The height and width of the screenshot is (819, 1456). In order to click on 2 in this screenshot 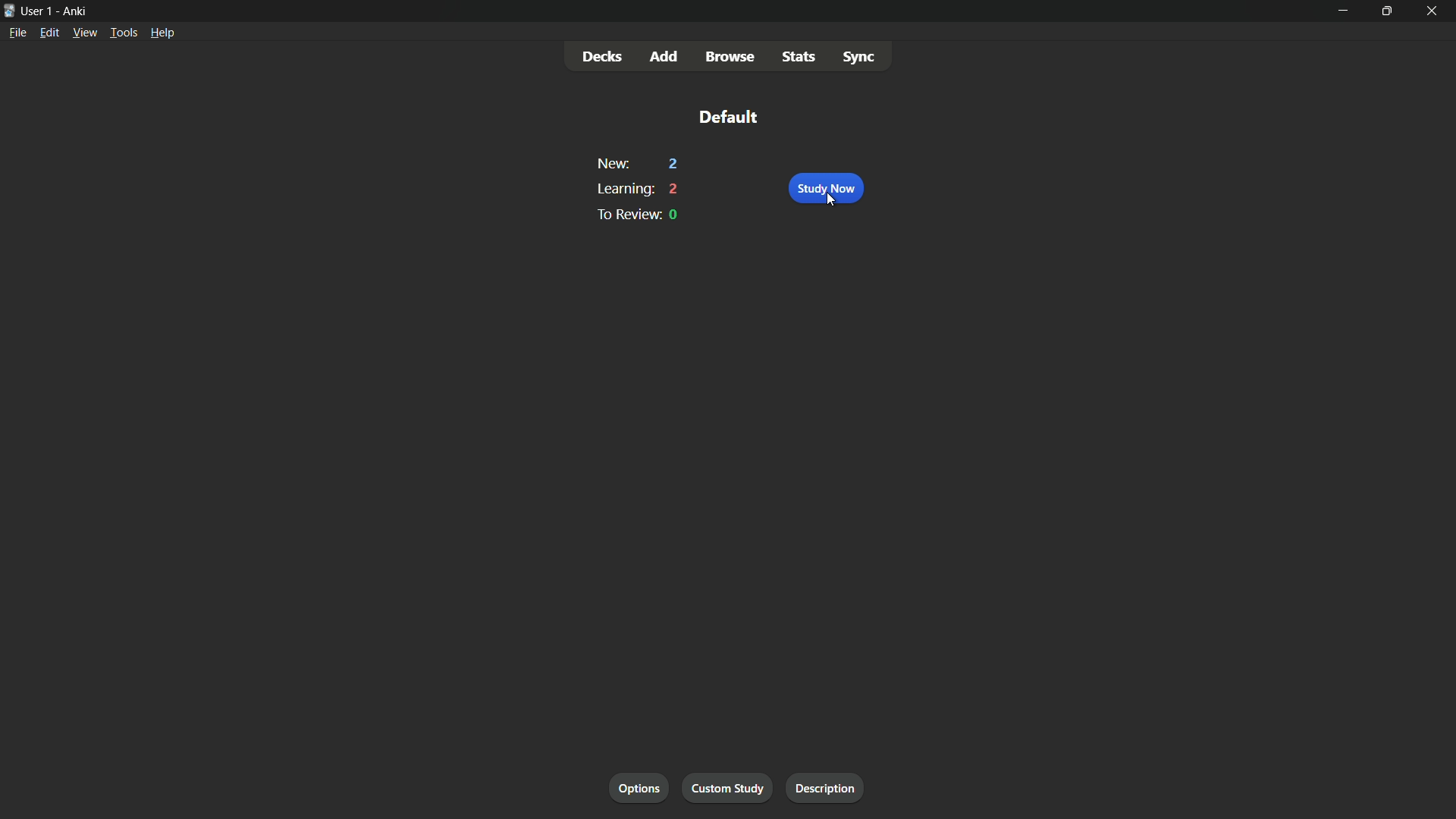, I will do `click(674, 188)`.